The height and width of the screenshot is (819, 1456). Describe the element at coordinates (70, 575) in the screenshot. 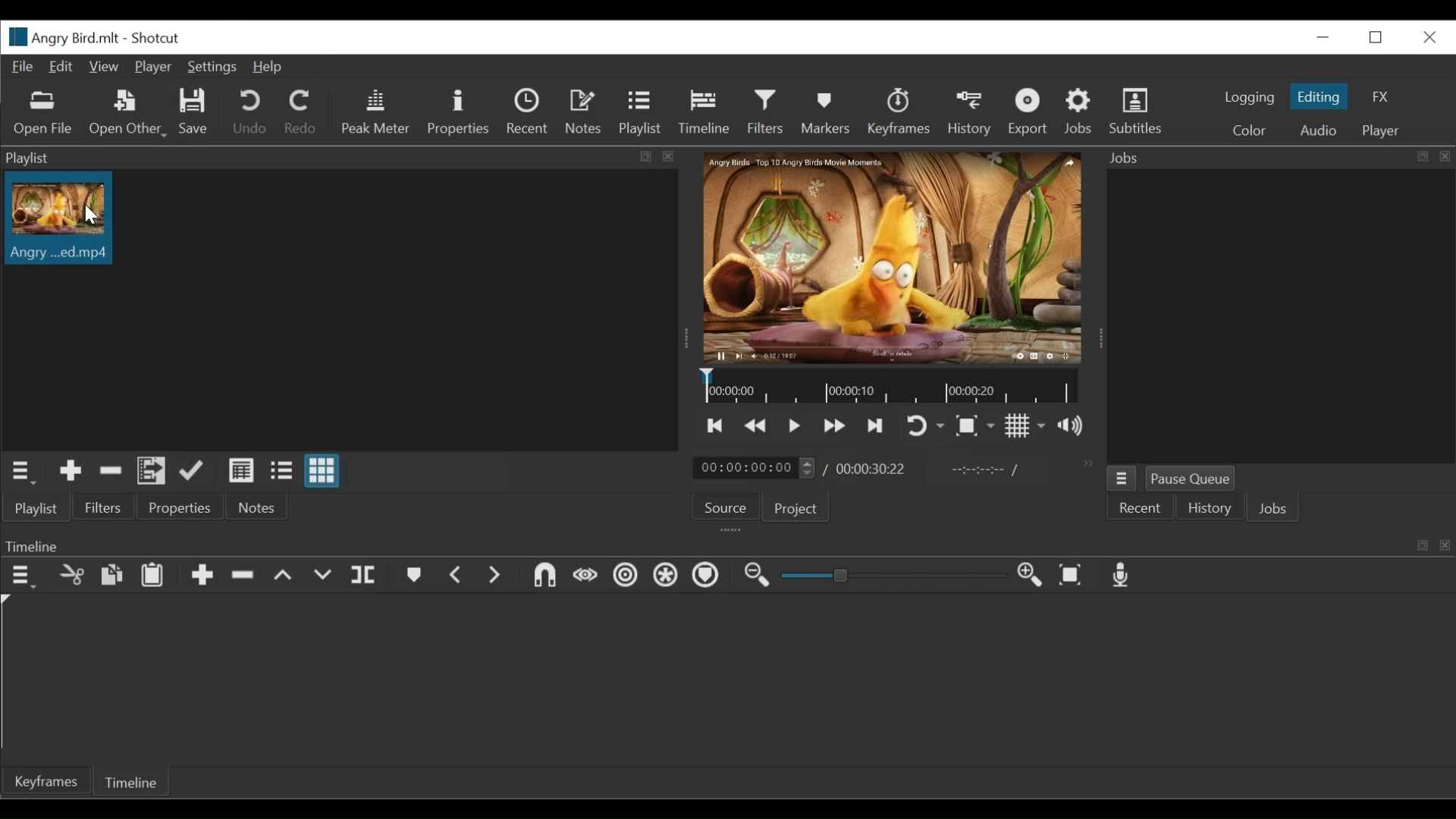

I see `cut` at that location.